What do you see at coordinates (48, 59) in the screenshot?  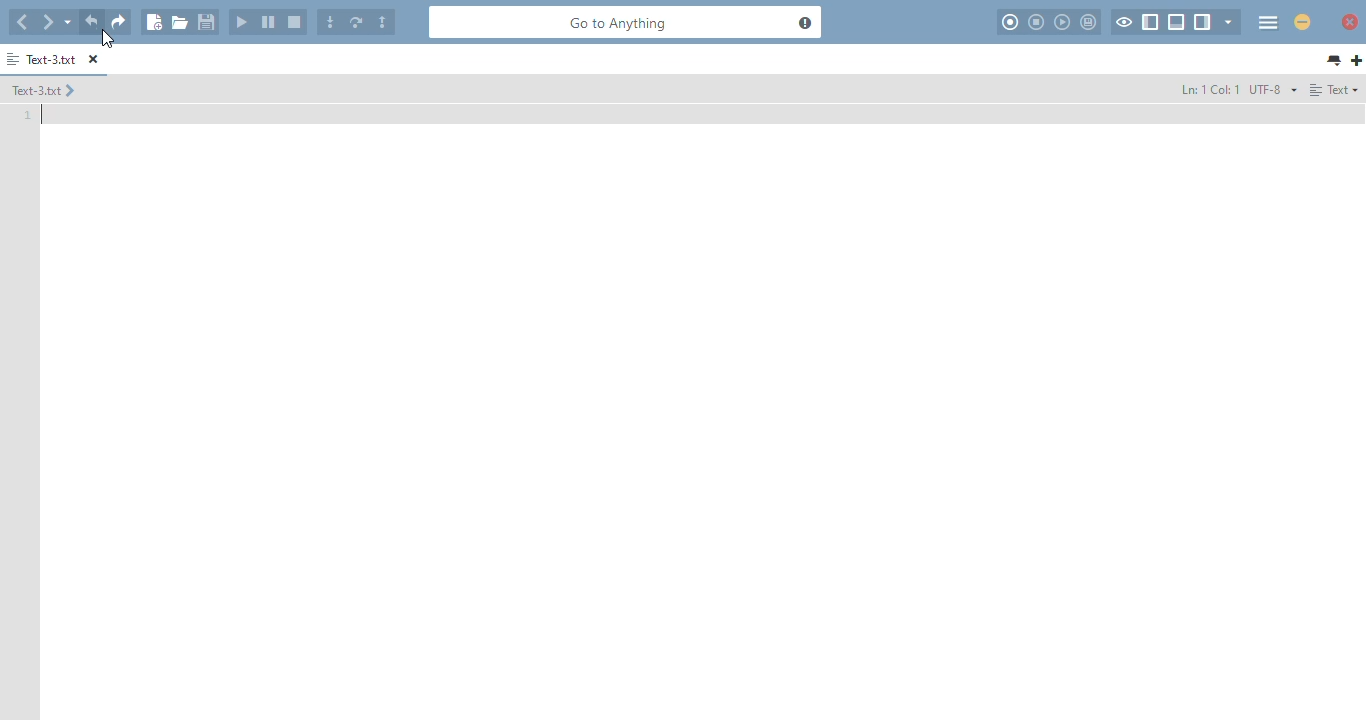 I see `text-3` at bounding box center [48, 59].